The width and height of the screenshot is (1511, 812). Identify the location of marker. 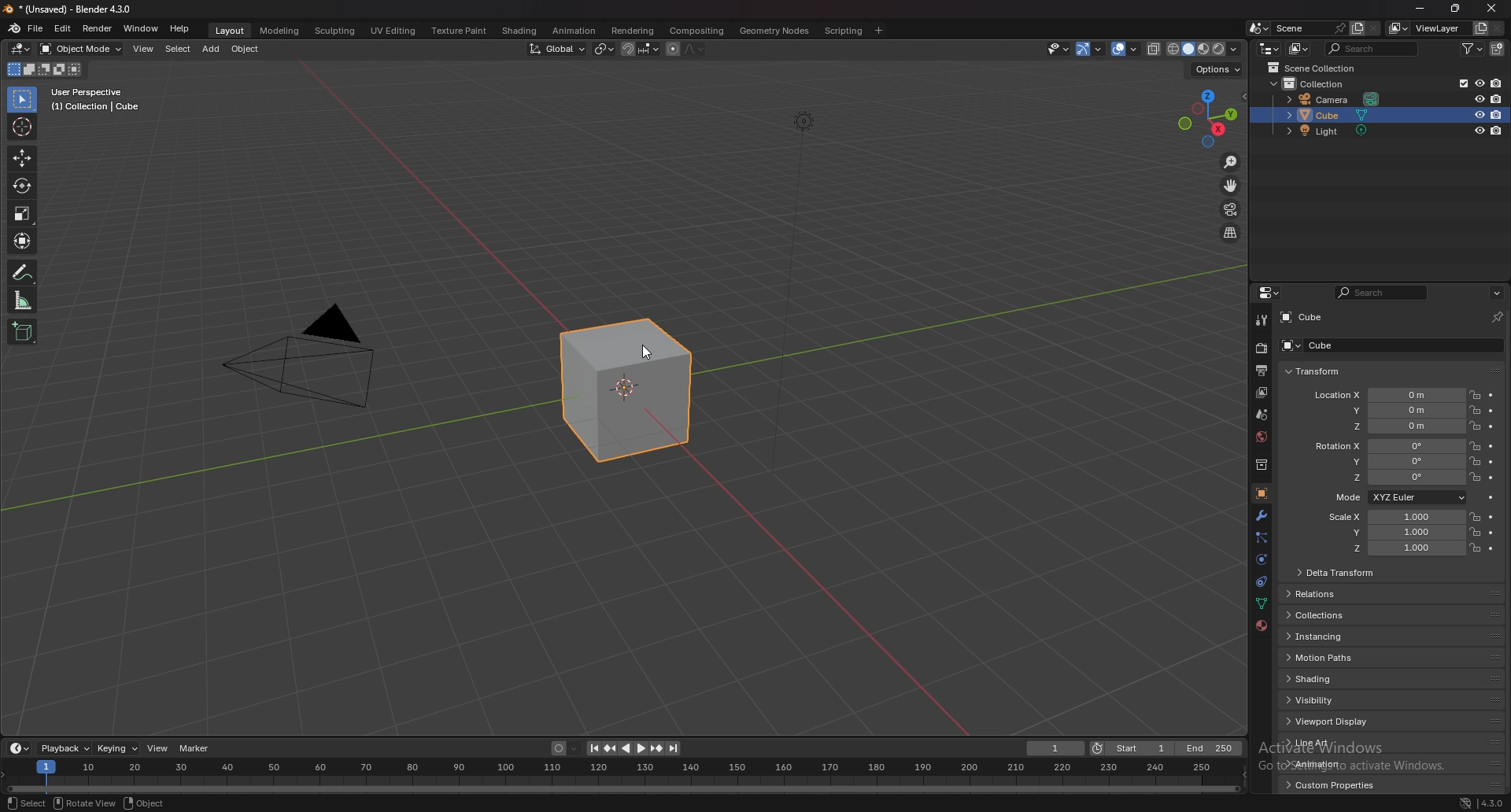
(195, 747).